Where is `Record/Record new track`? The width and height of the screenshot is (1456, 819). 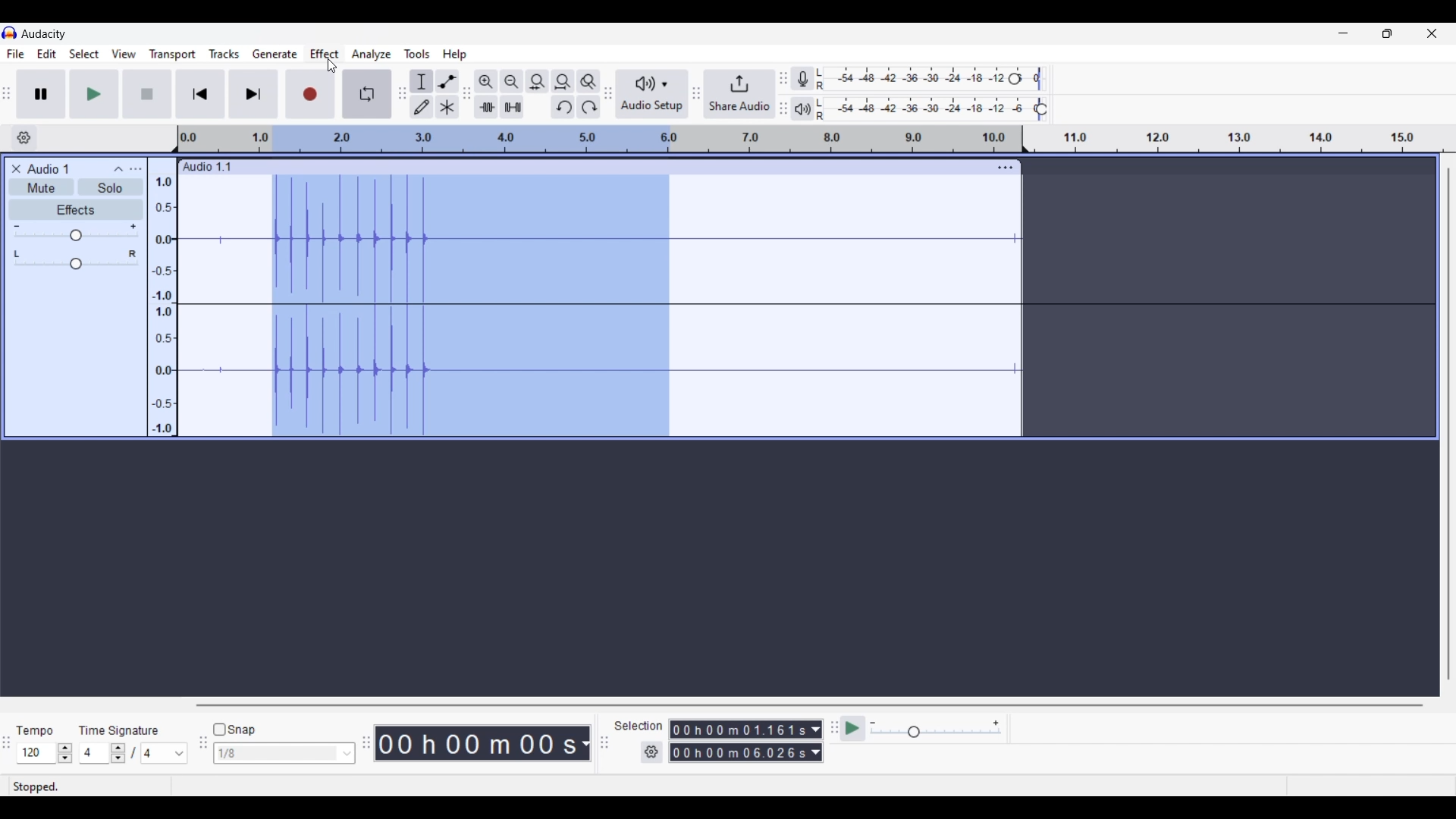
Record/Record new track is located at coordinates (311, 93).